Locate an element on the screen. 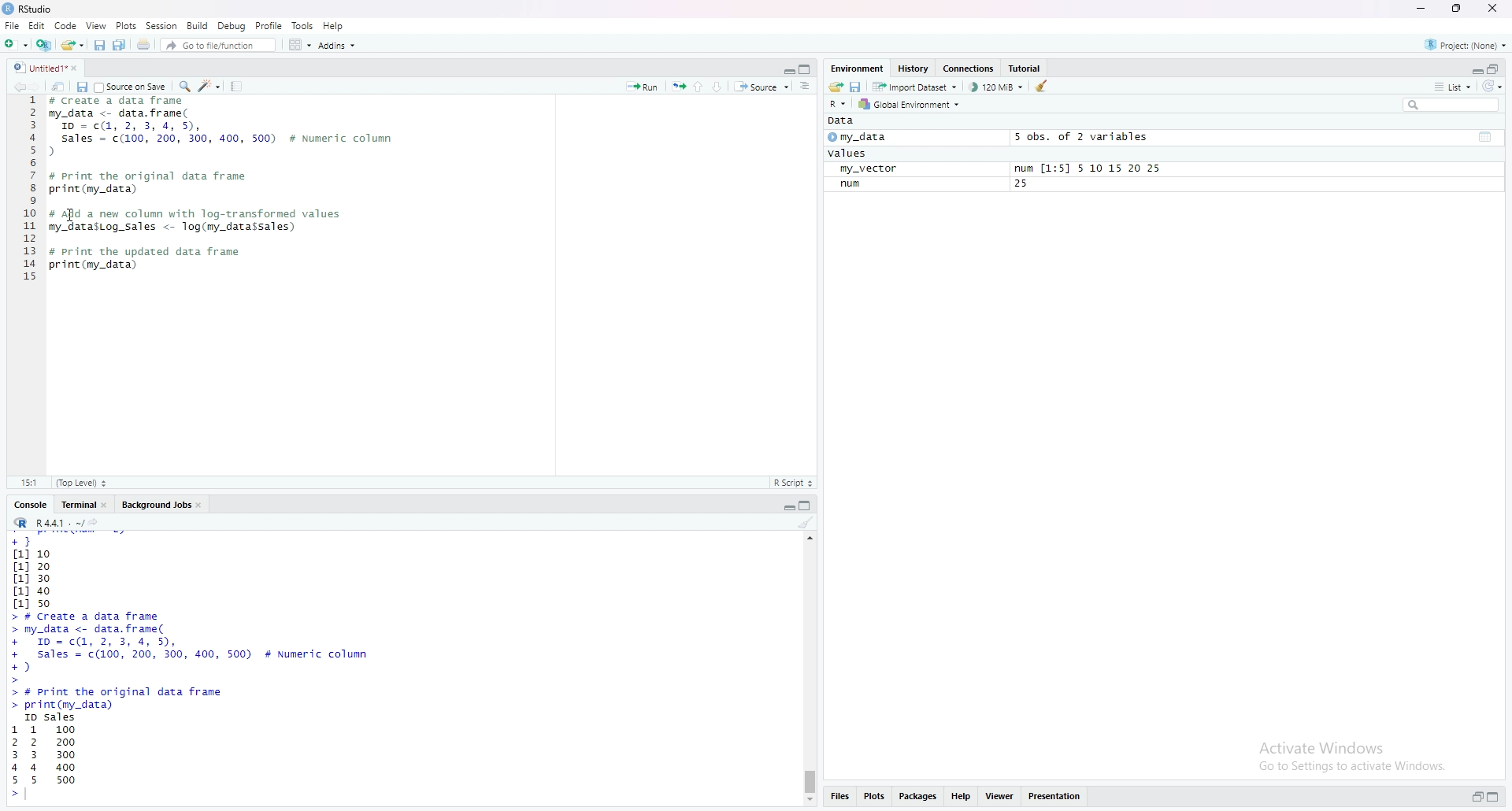 The image size is (1512, 811). scrollbar is located at coordinates (812, 676).